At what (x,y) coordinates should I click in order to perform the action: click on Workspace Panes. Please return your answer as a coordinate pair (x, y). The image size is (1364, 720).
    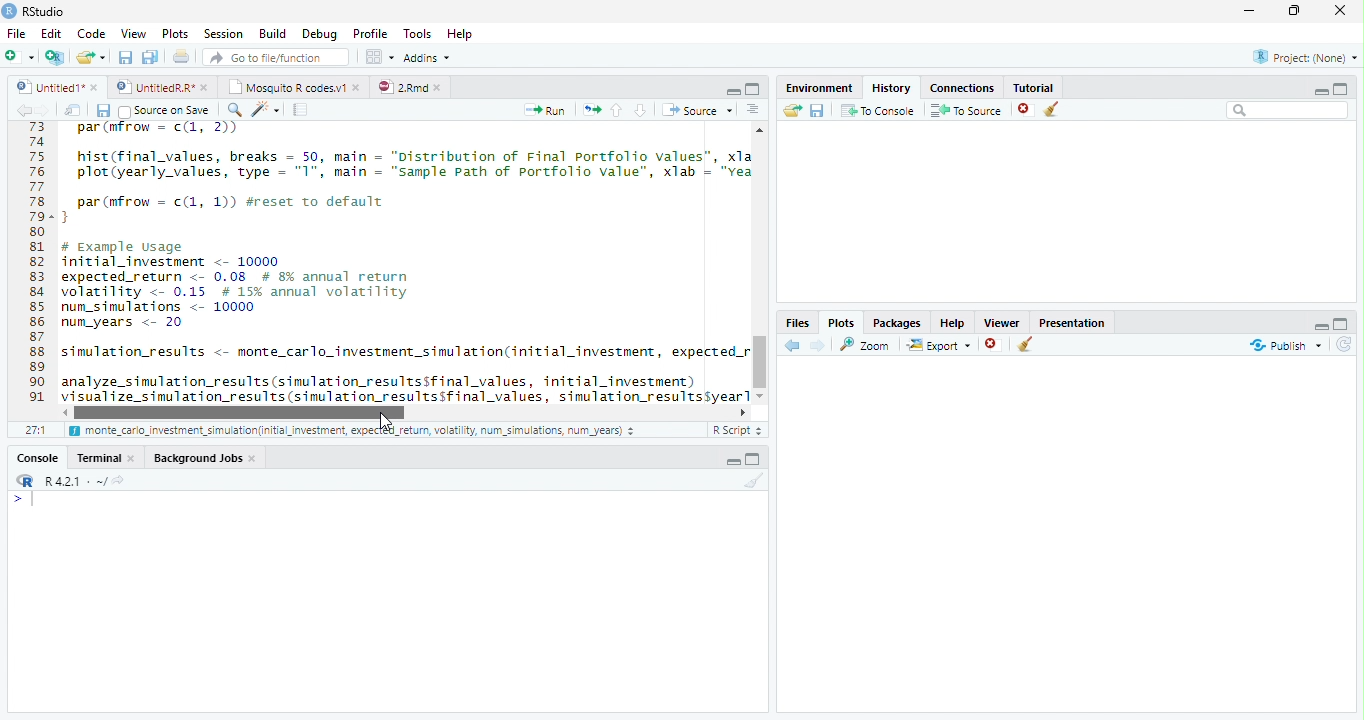
    Looking at the image, I should click on (379, 57).